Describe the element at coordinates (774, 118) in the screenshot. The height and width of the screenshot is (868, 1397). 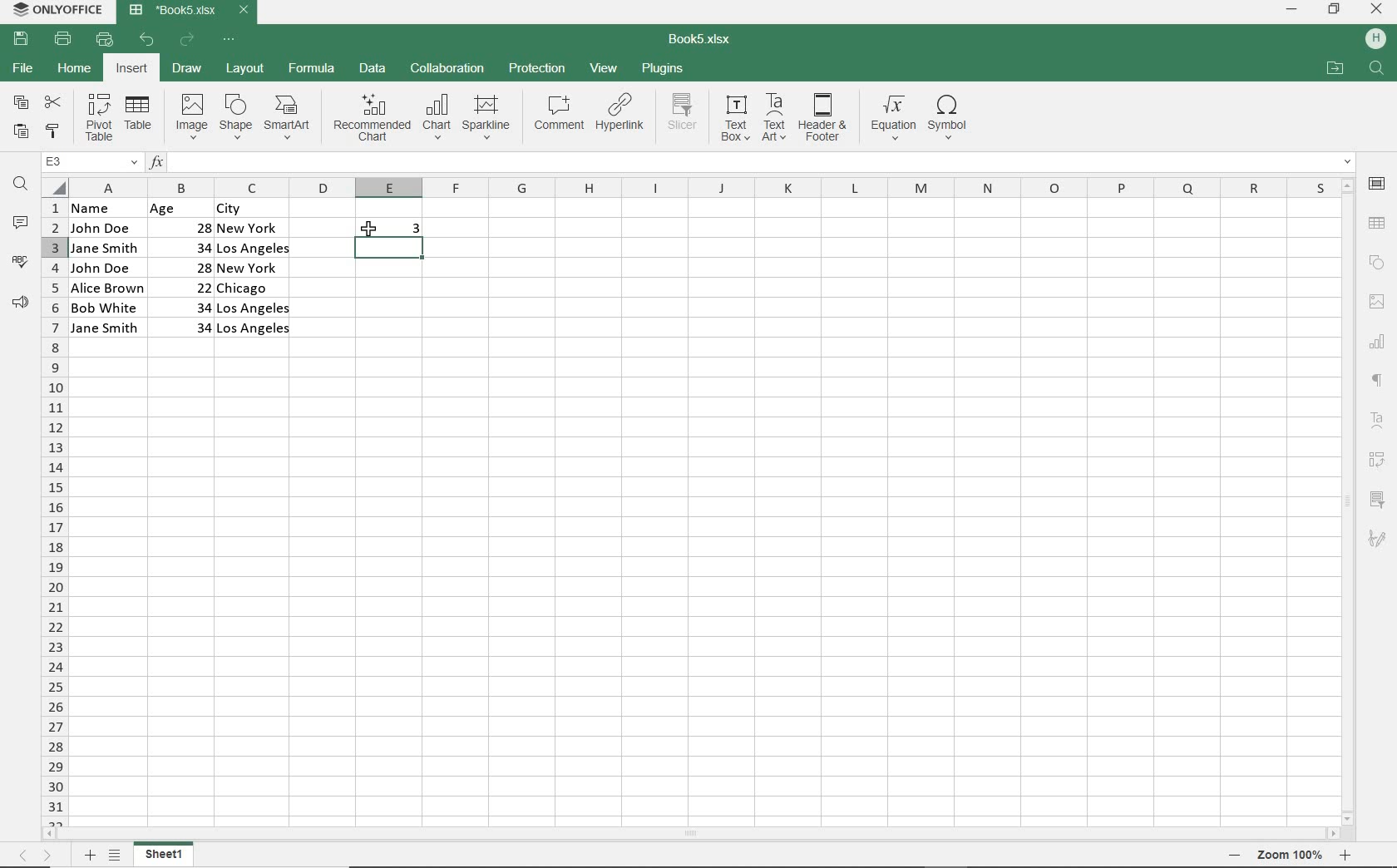
I see `TEXT ART` at that location.